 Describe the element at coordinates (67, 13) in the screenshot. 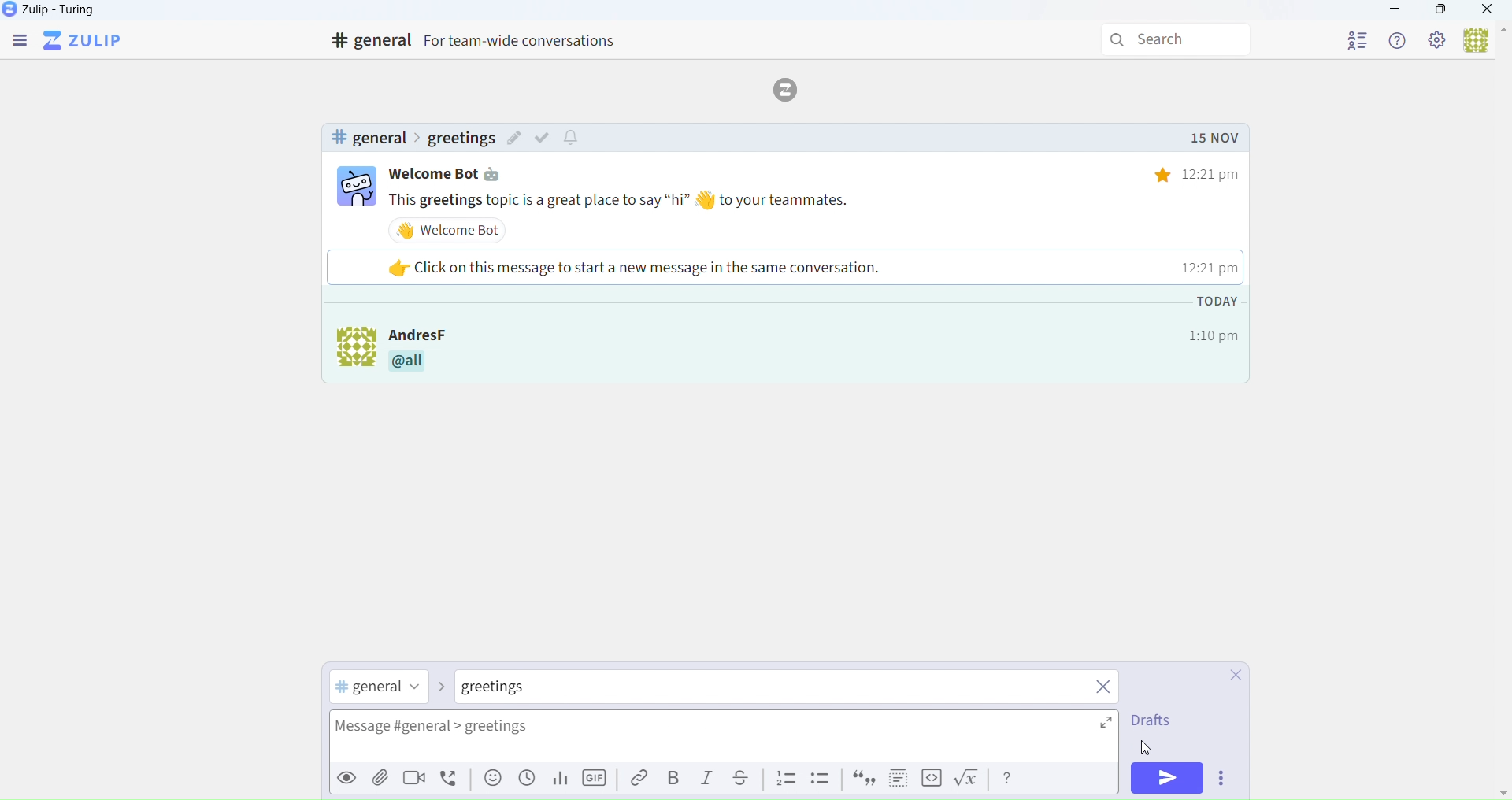

I see `Zulip` at that location.